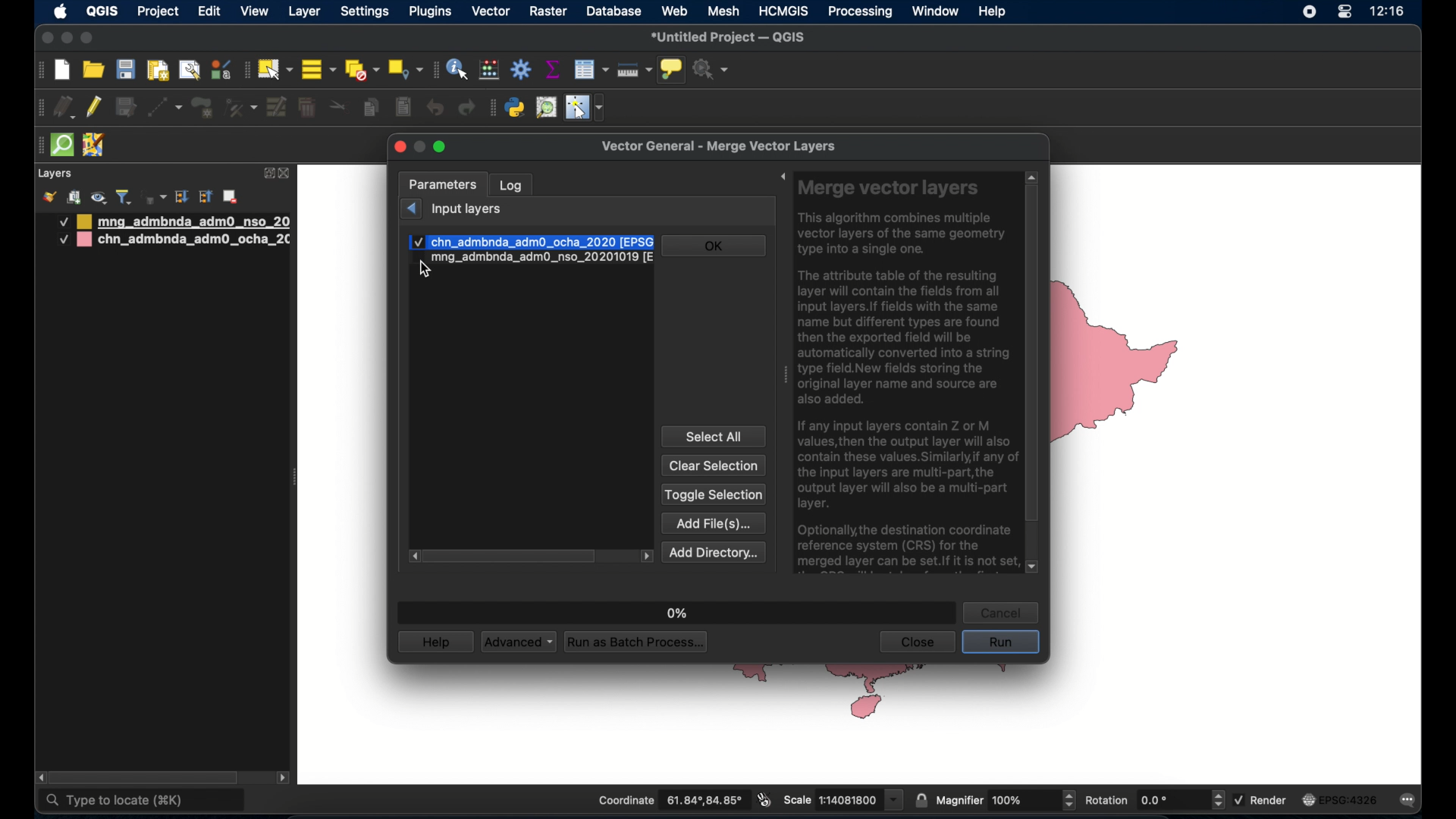 This screenshot has width=1456, height=819. What do you see at coordinates (491, 11) in the screenshot?
I see `vector` at bounding box center [491, 11].